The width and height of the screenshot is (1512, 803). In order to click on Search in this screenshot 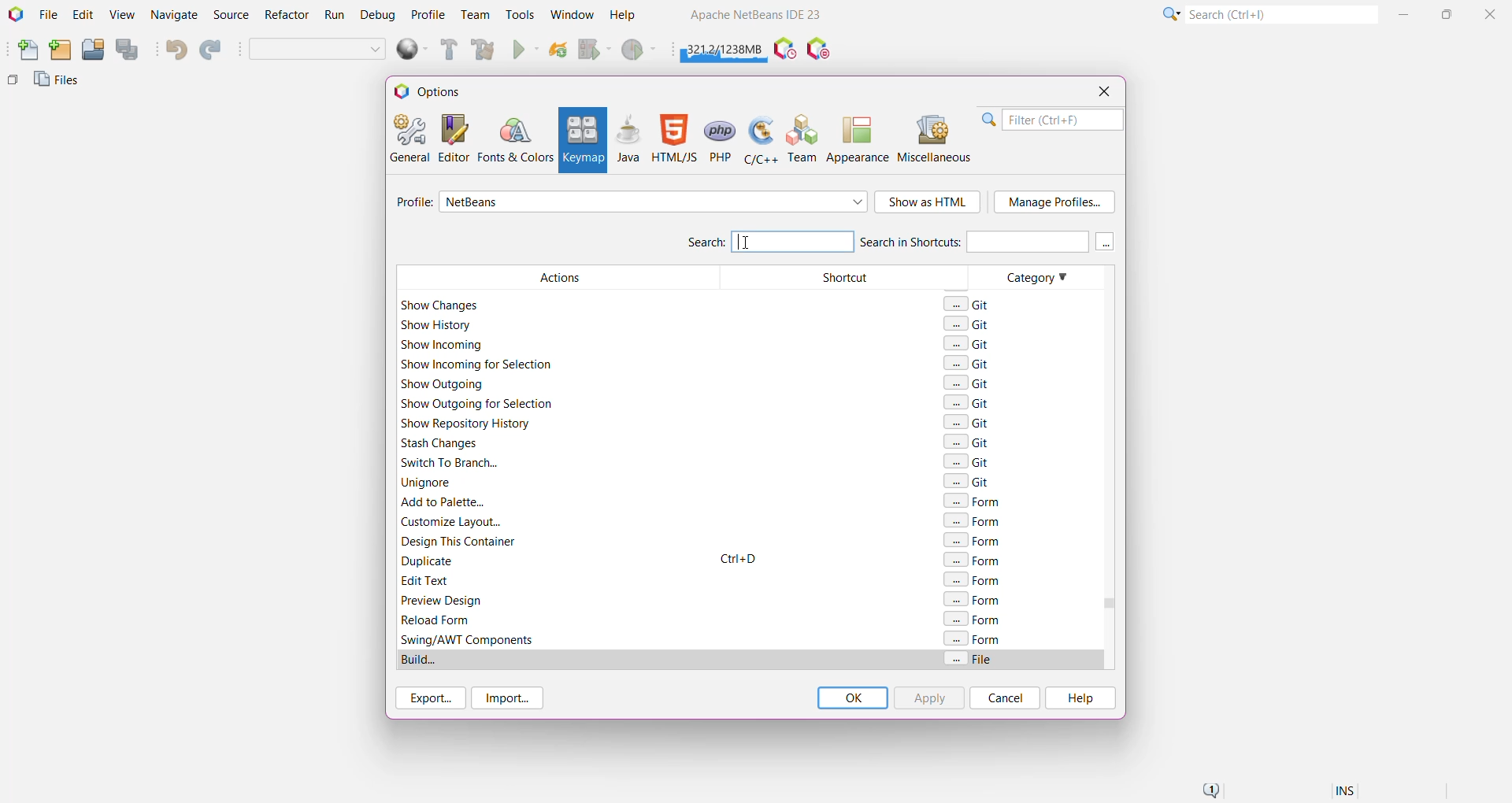, I will do `click(1280, 13)`.